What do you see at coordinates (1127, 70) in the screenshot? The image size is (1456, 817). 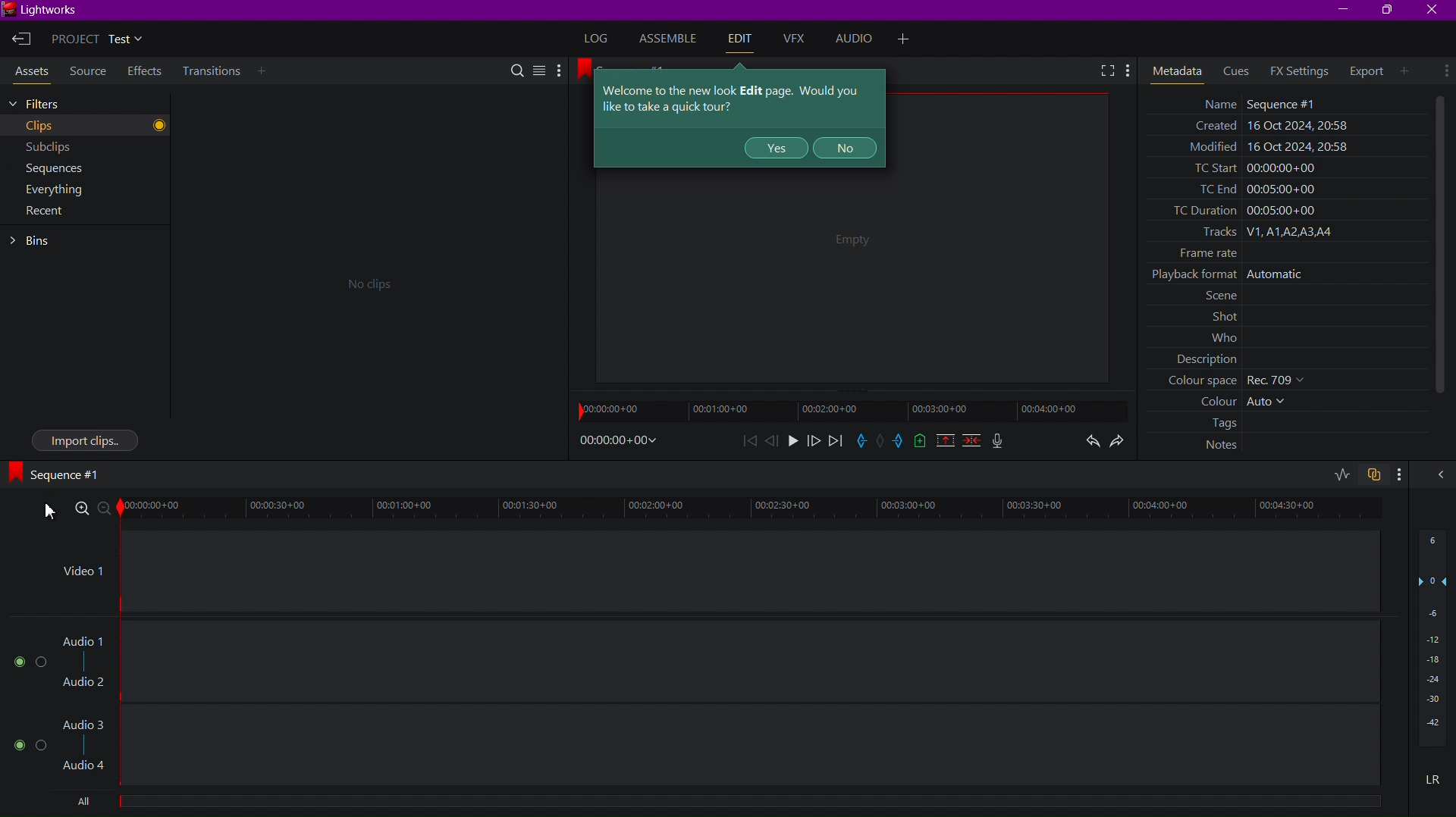 I see `More` at bounding box center [1127, 70].